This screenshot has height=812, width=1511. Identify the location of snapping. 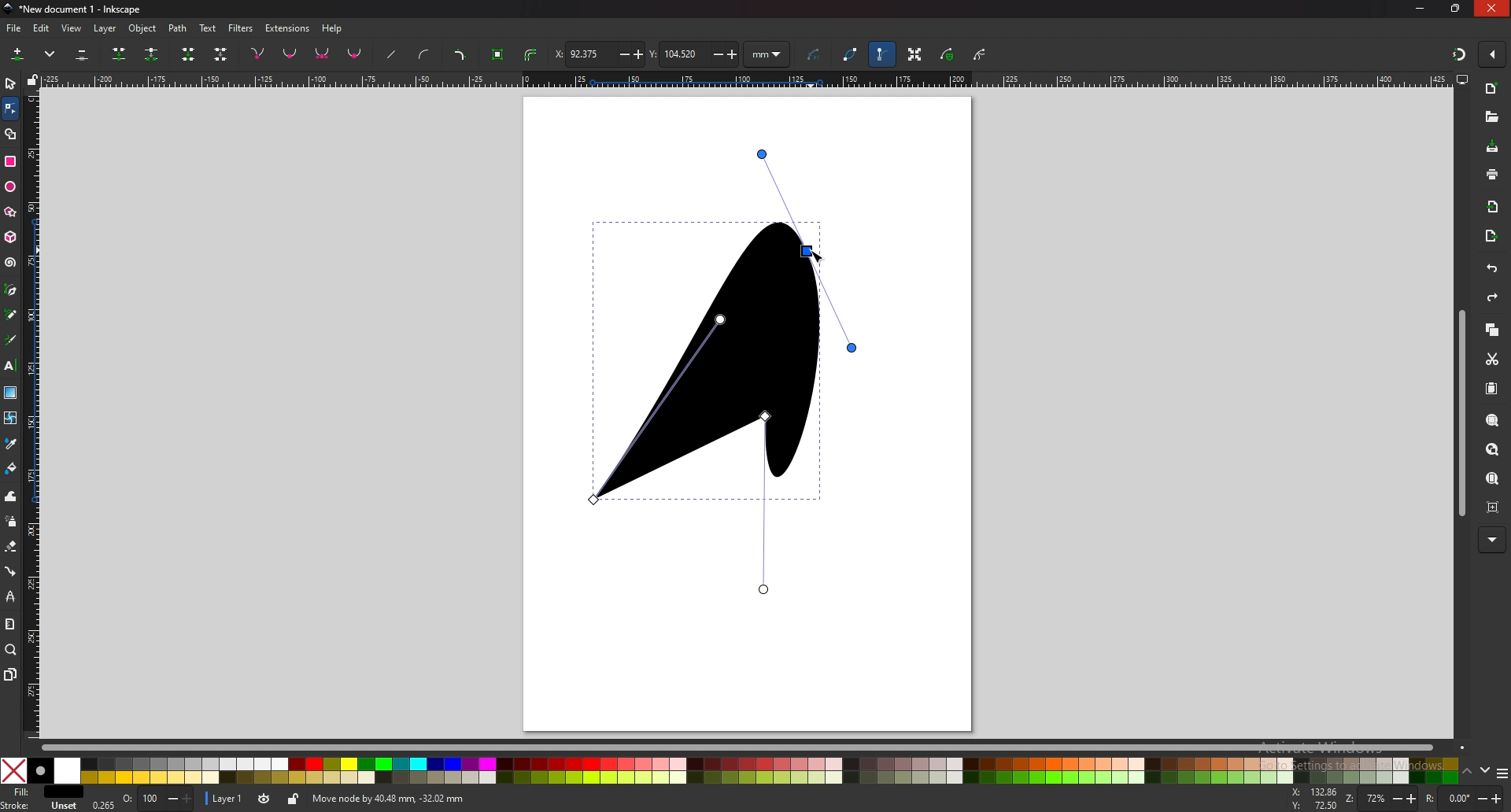
(1459, 55).